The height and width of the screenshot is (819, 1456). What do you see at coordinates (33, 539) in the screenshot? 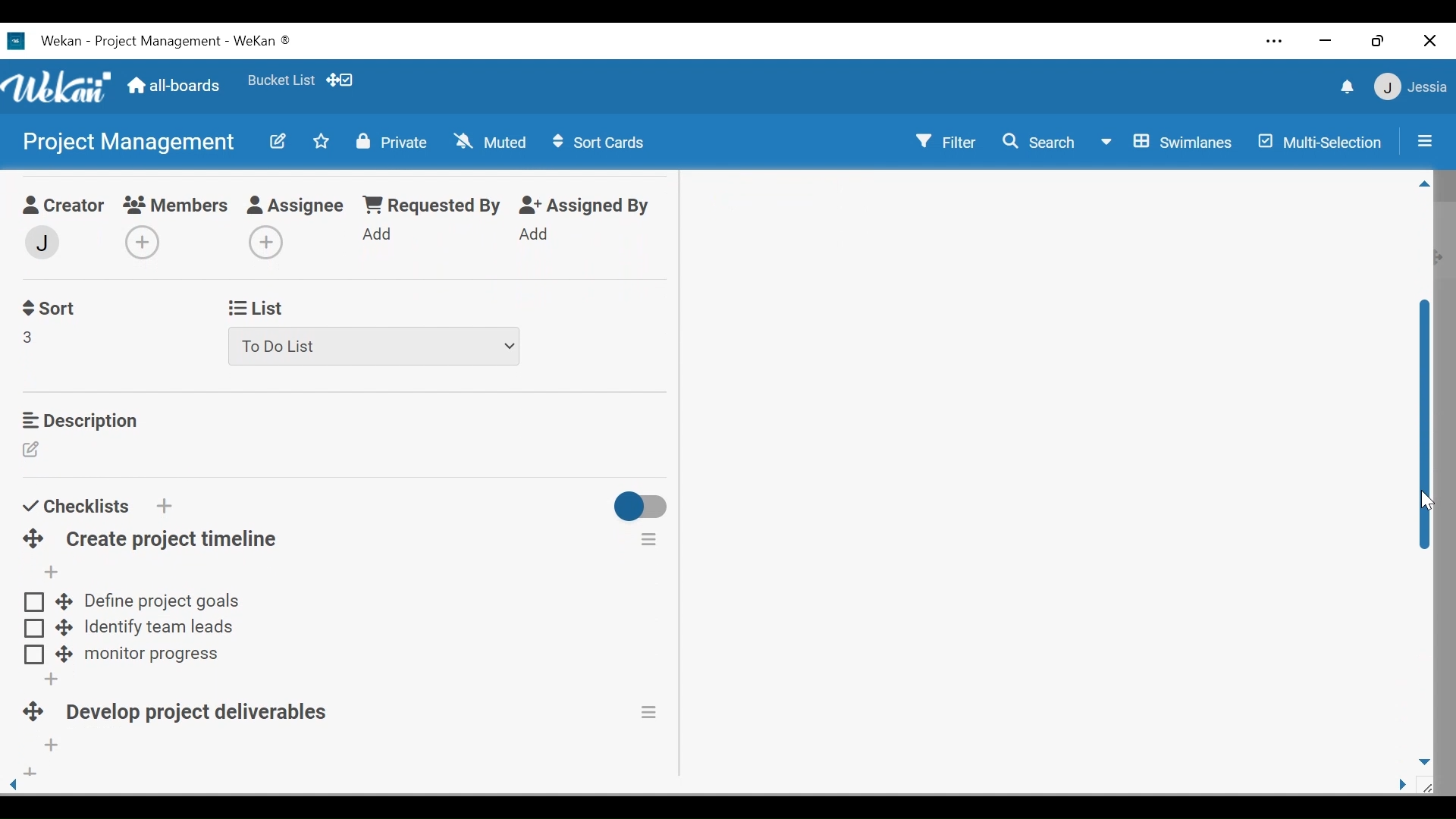
I see `Desktop drag handles` at bounding box center [33, 539].